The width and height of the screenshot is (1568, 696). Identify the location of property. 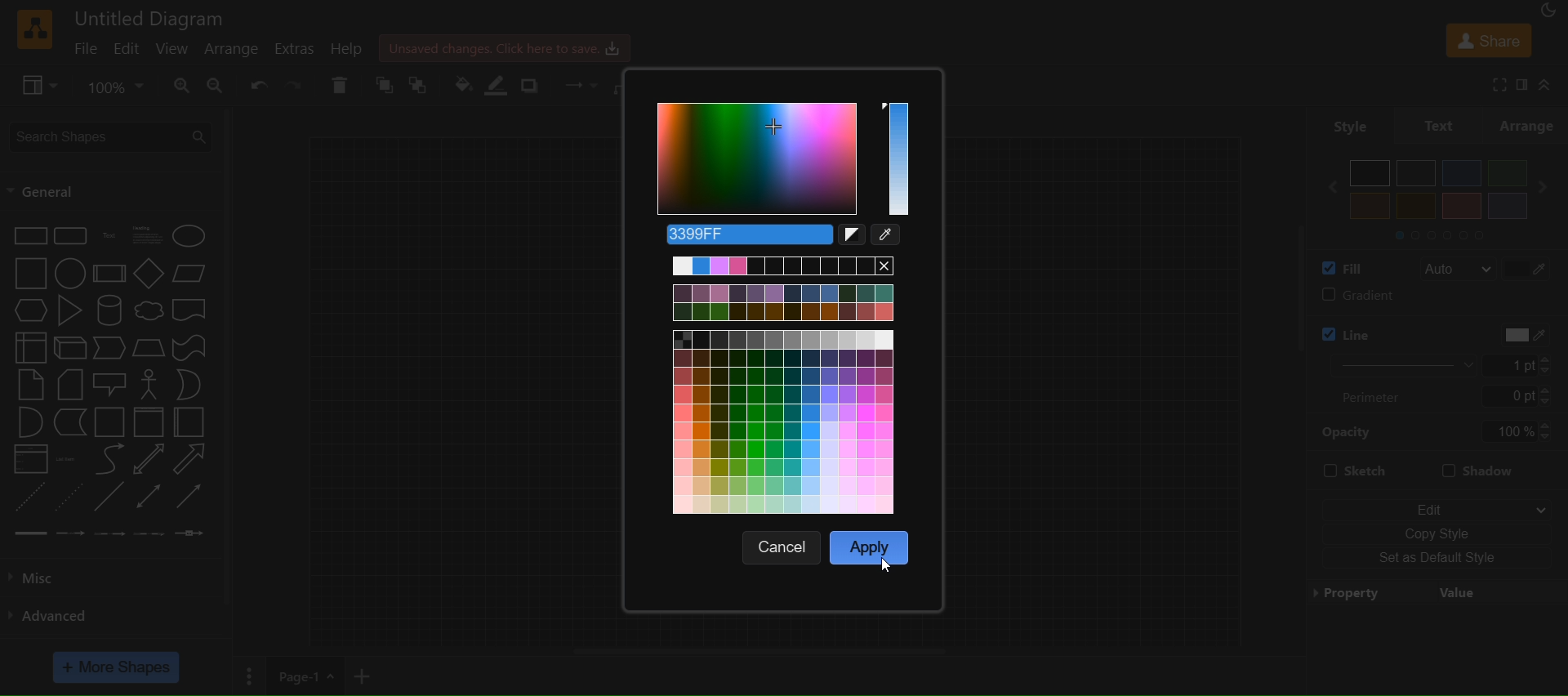
(1437, 591).